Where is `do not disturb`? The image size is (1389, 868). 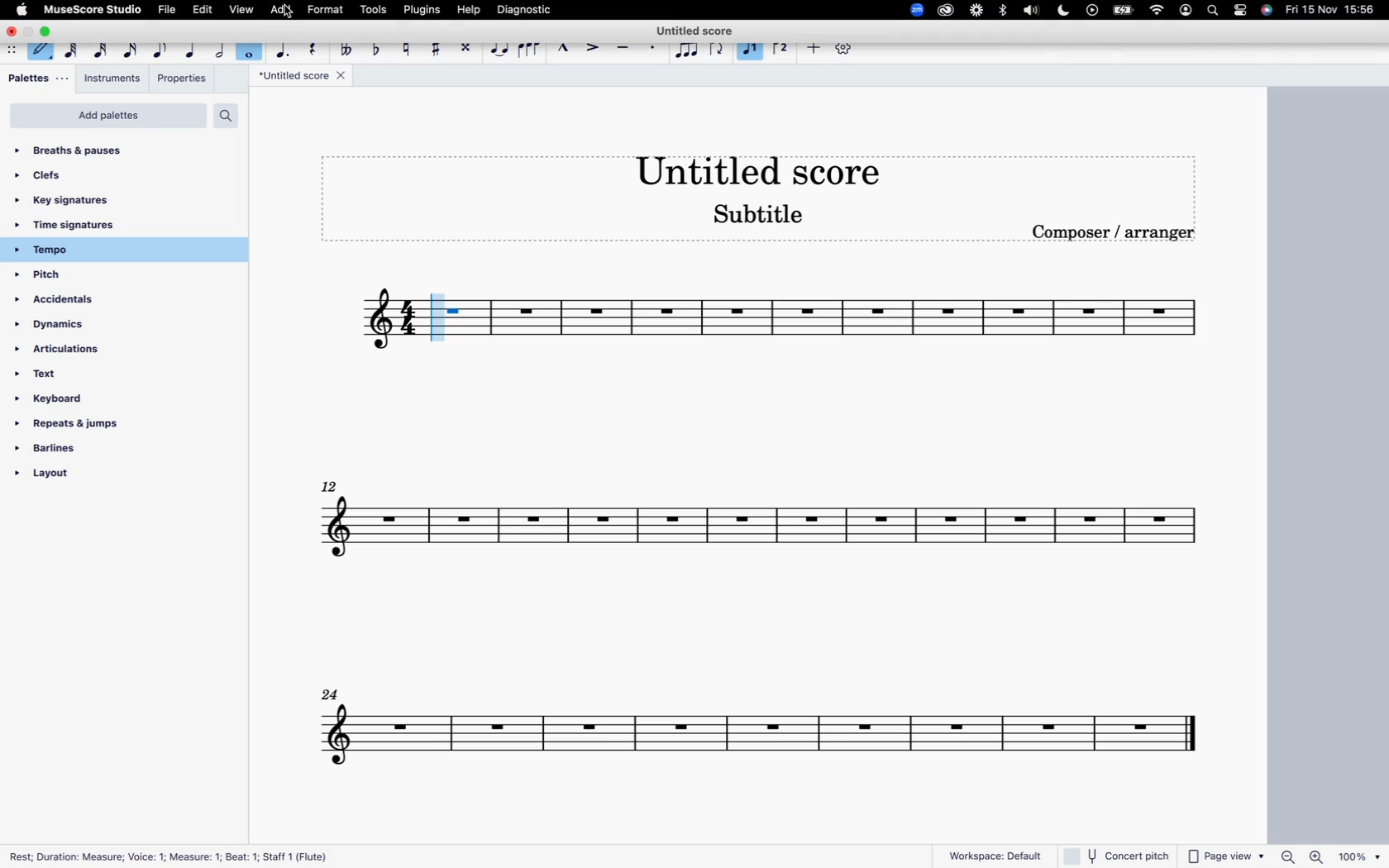
do not disturb is located at coordinates (1063, 10).